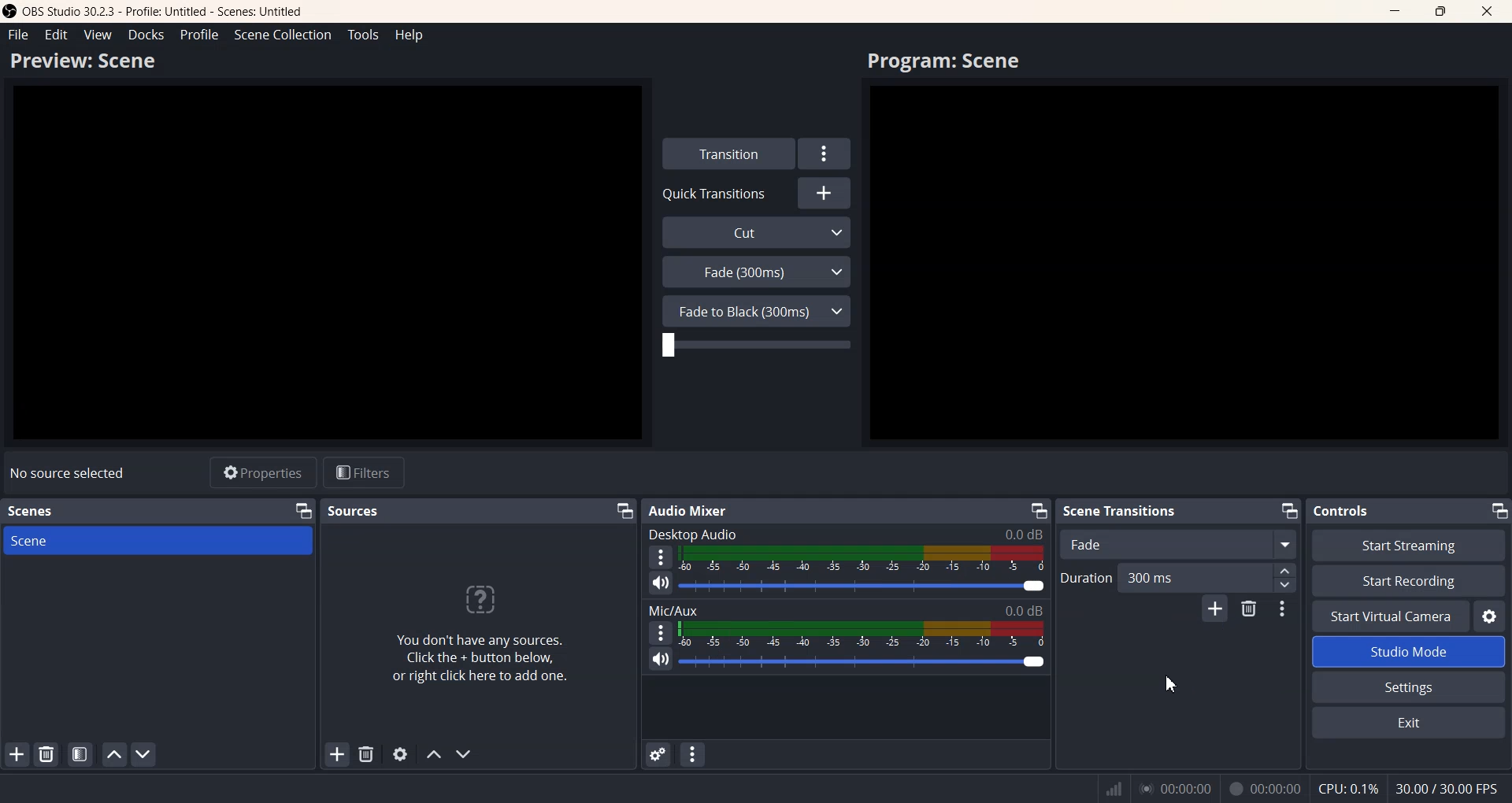 Image resolution: width=1512 pixels, height=803 pixels. What do you see at coordinates (617, 513) in the screenshot?
I see `Minimize` at bounding box center [617, 513].